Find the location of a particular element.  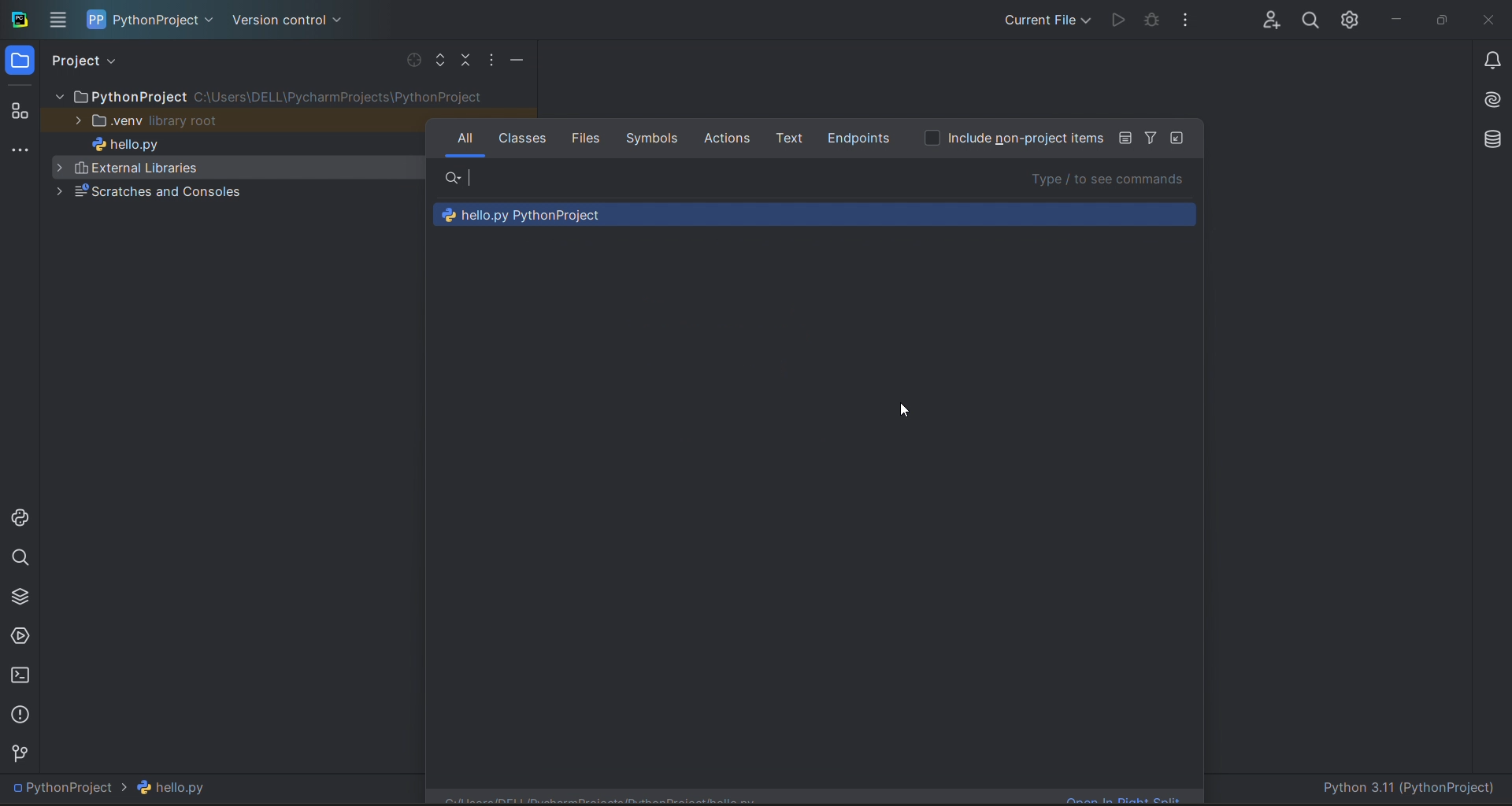

.venu is located at coordinates (236, 120).